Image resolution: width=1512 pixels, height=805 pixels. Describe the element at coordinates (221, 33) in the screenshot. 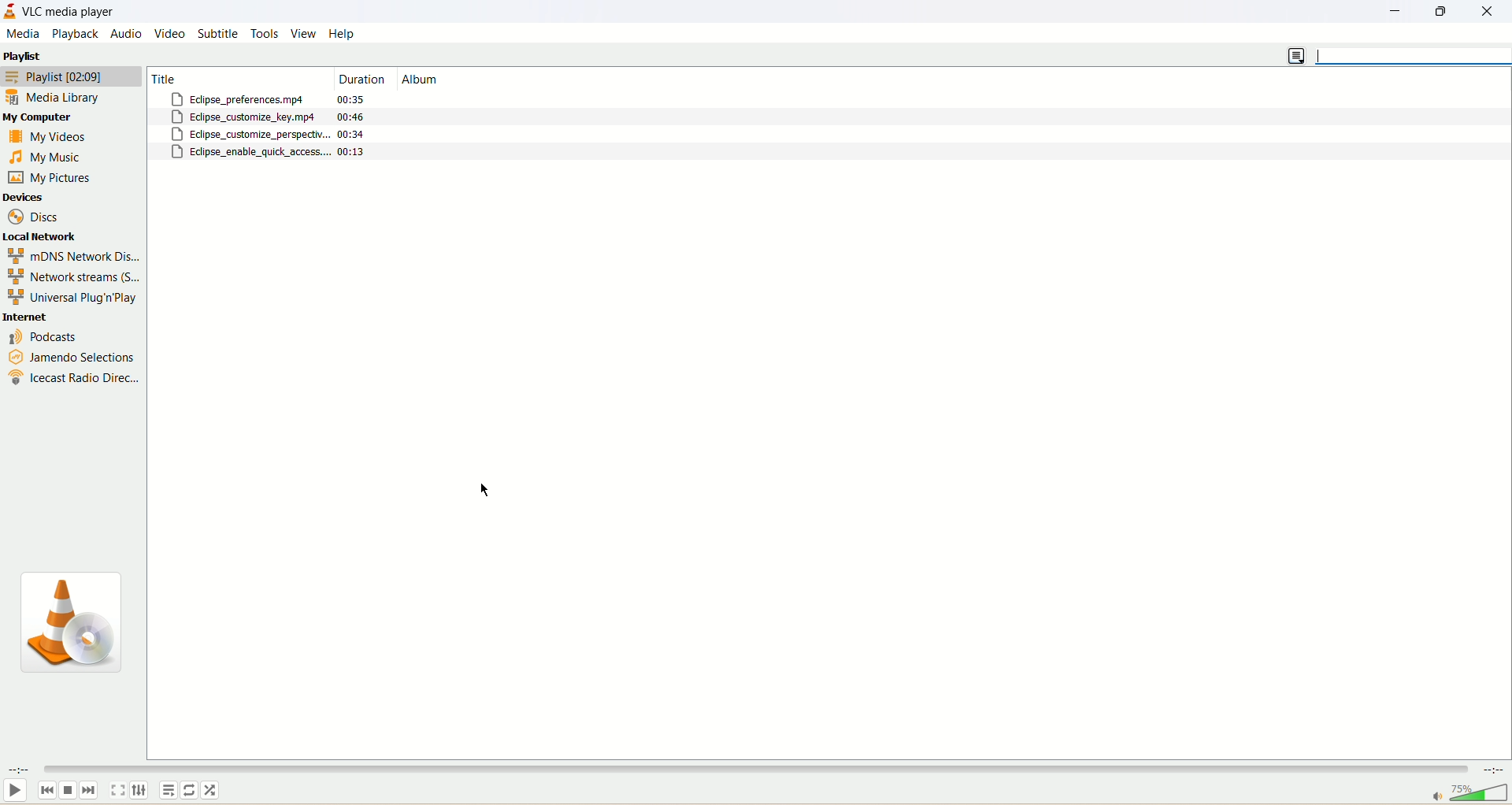

I see `subtitle` at that location.